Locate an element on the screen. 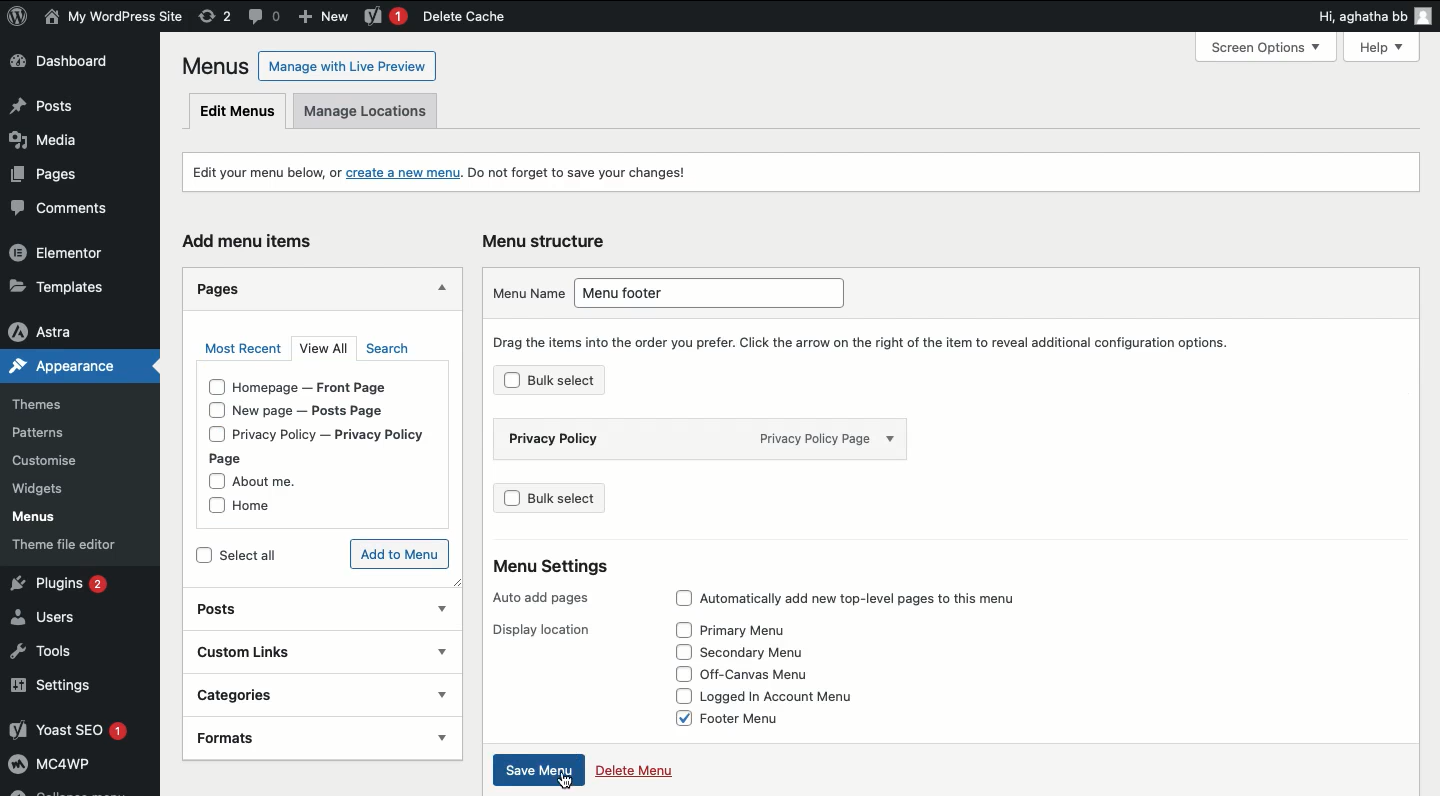 Image resolution: width=1440 pixels, height=796 pixels. Posts is located at coordinates (297, 608).